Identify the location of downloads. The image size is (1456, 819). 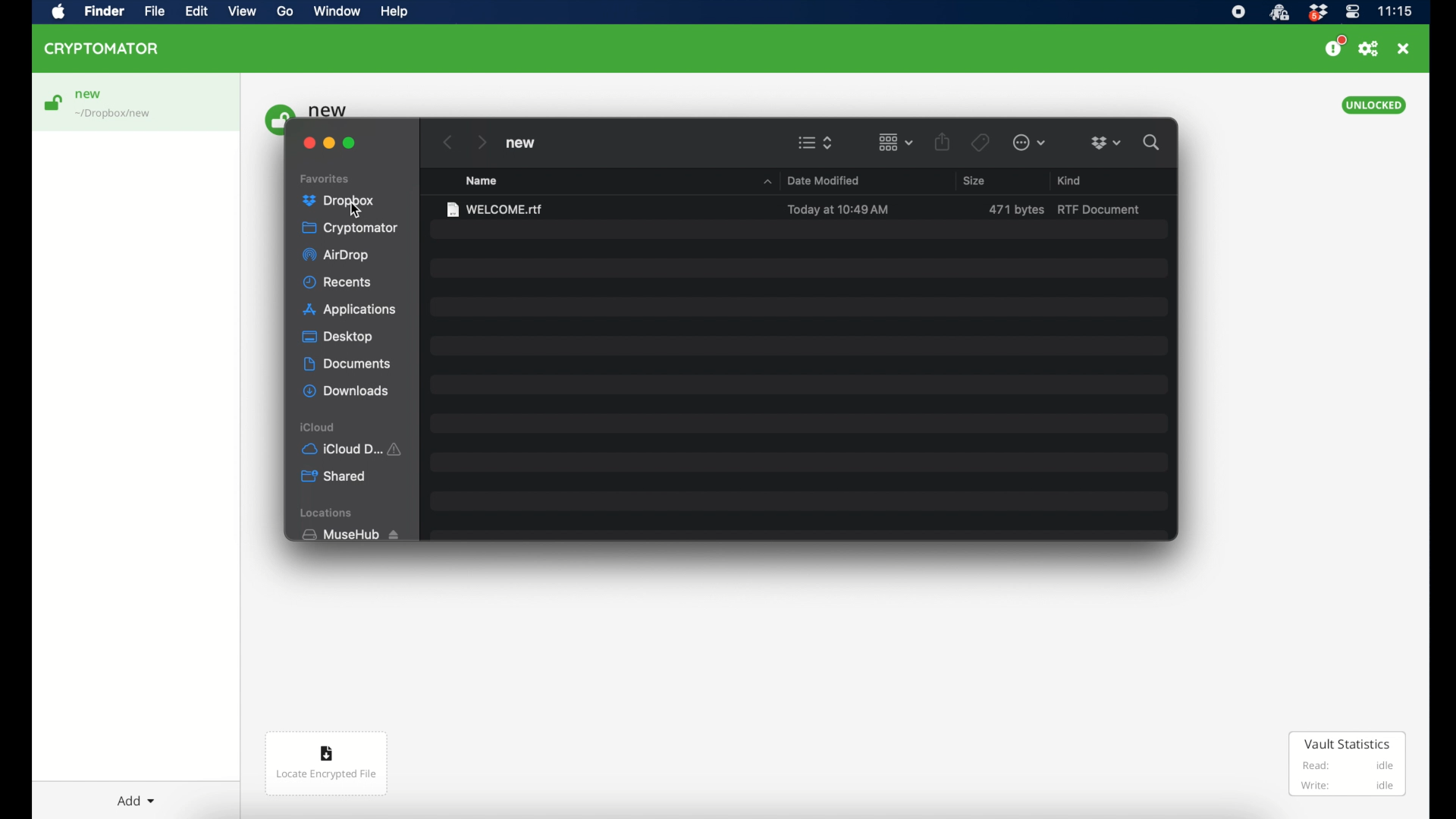
(346, 391).